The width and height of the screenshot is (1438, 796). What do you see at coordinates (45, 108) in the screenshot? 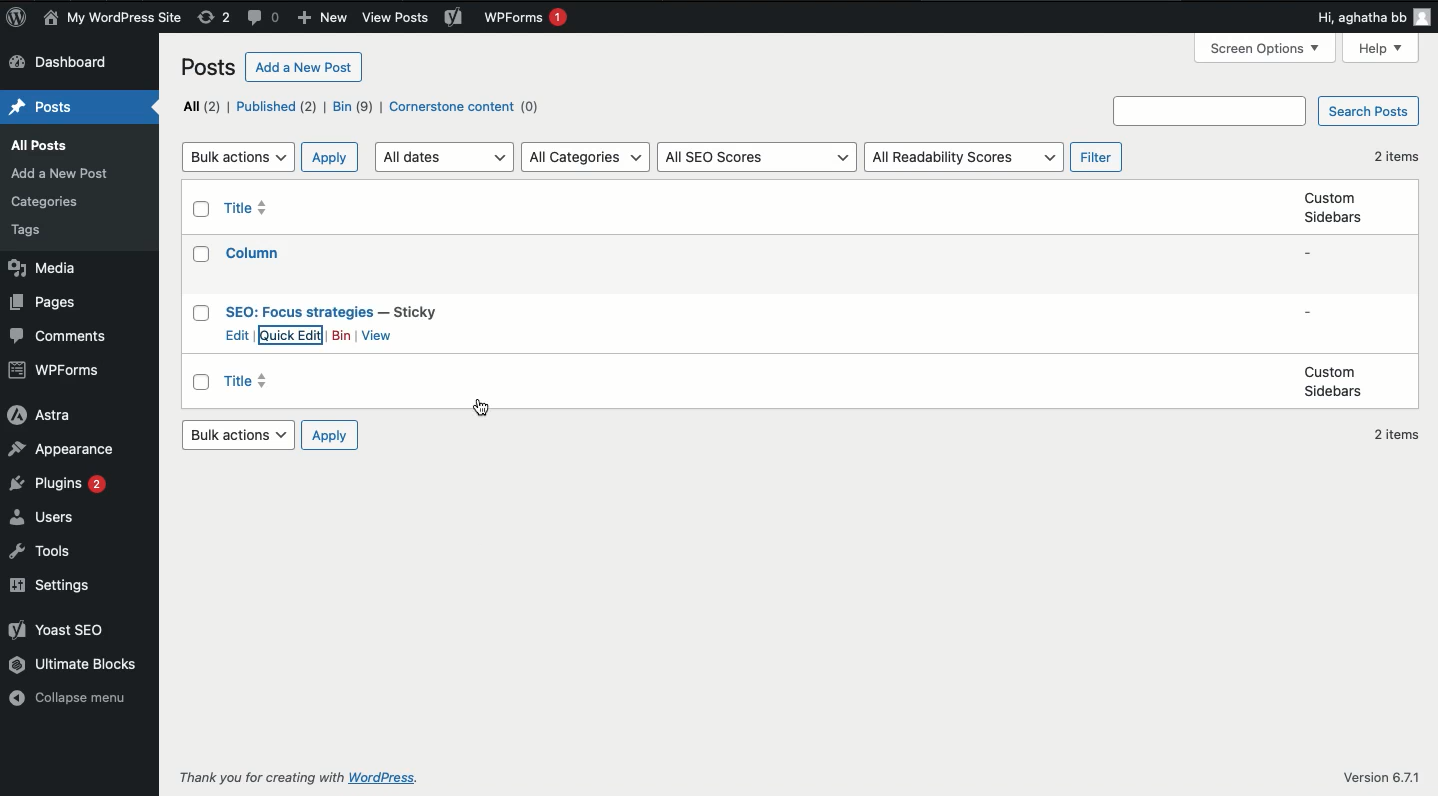
I see `Posts` at bounding box center [45, 108].